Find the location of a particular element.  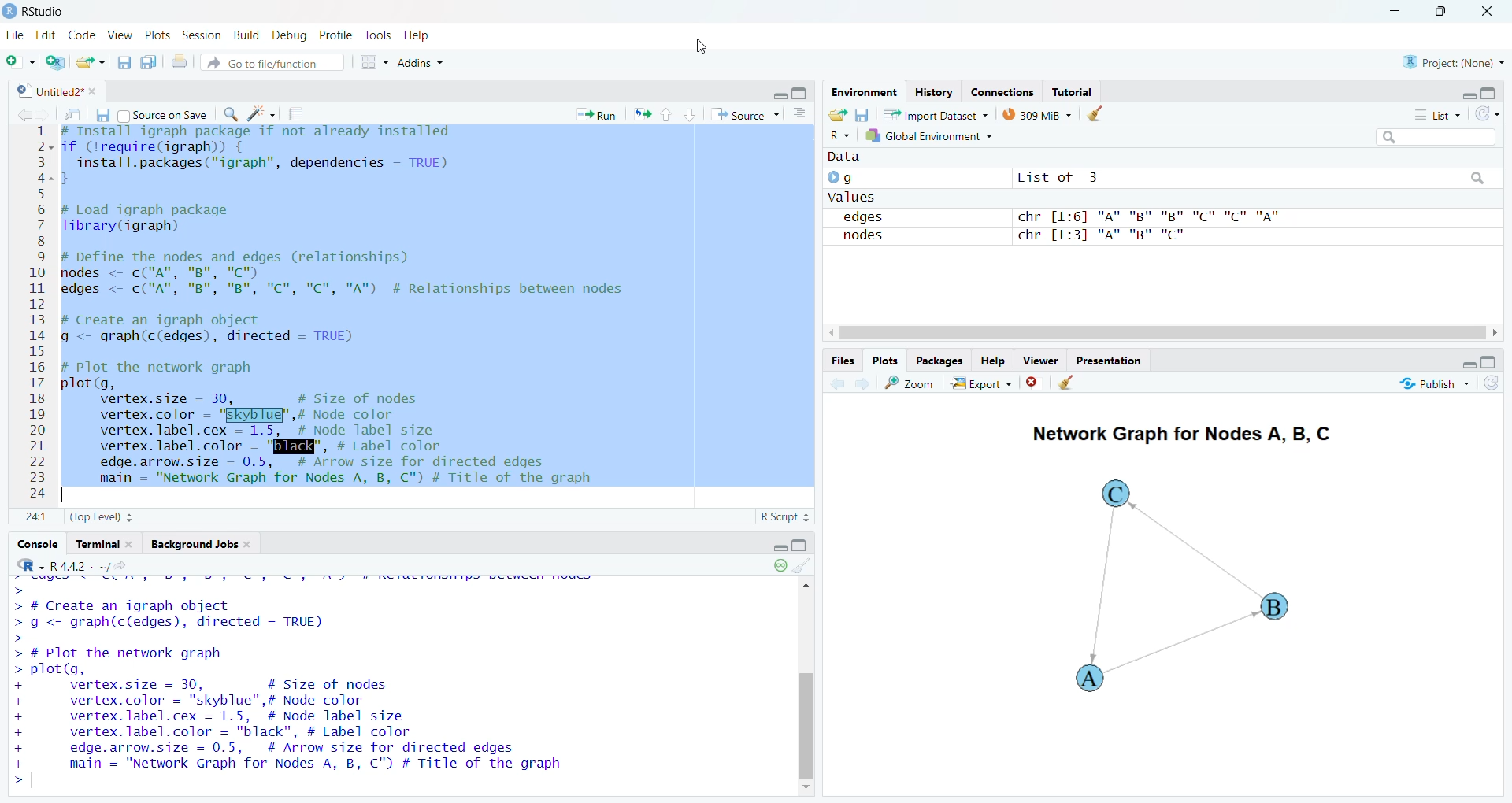

(Top Level) » is located at coordinates (102, 515).